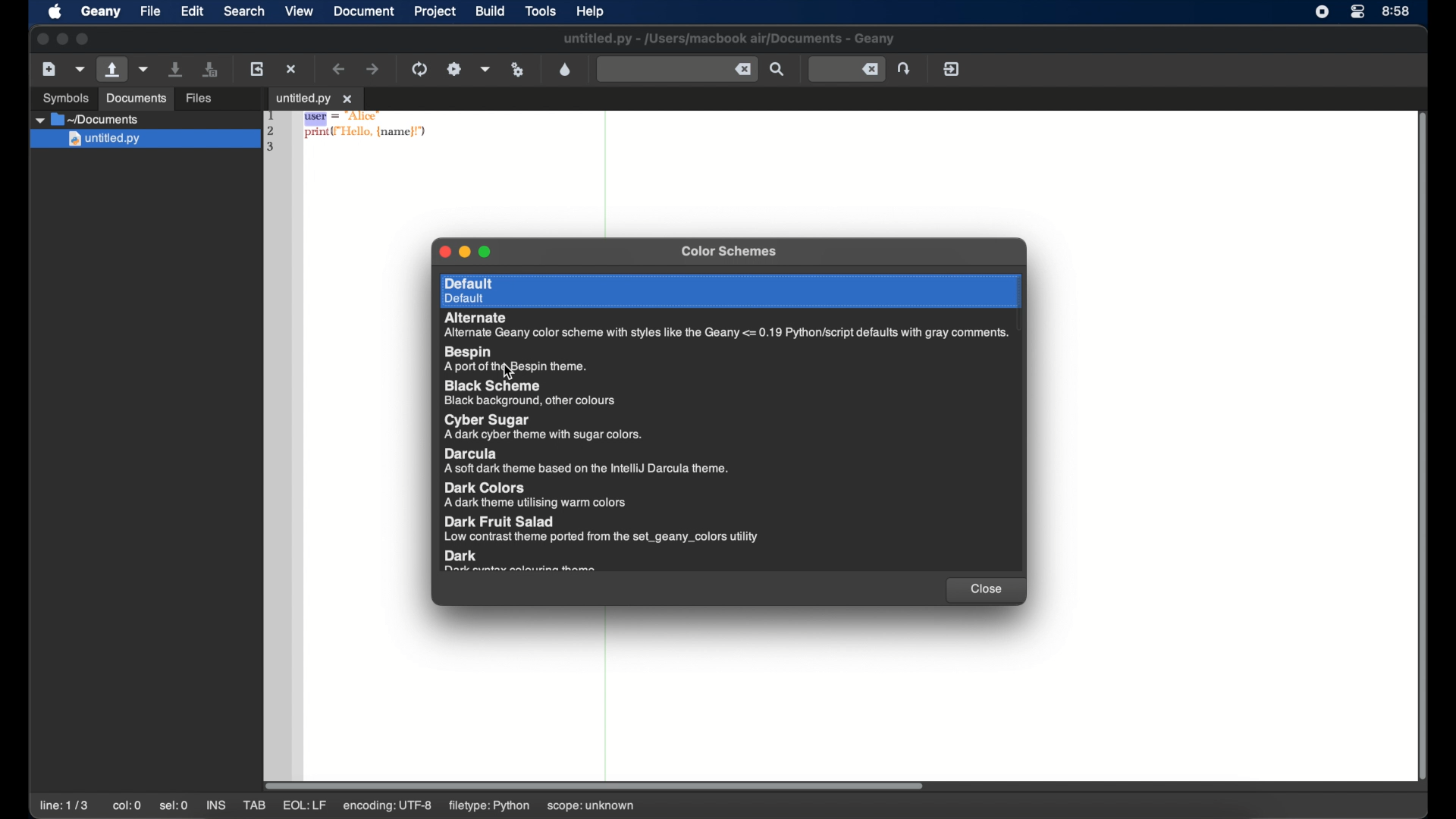  I want to click on choose more build actions, so click(486, 69).